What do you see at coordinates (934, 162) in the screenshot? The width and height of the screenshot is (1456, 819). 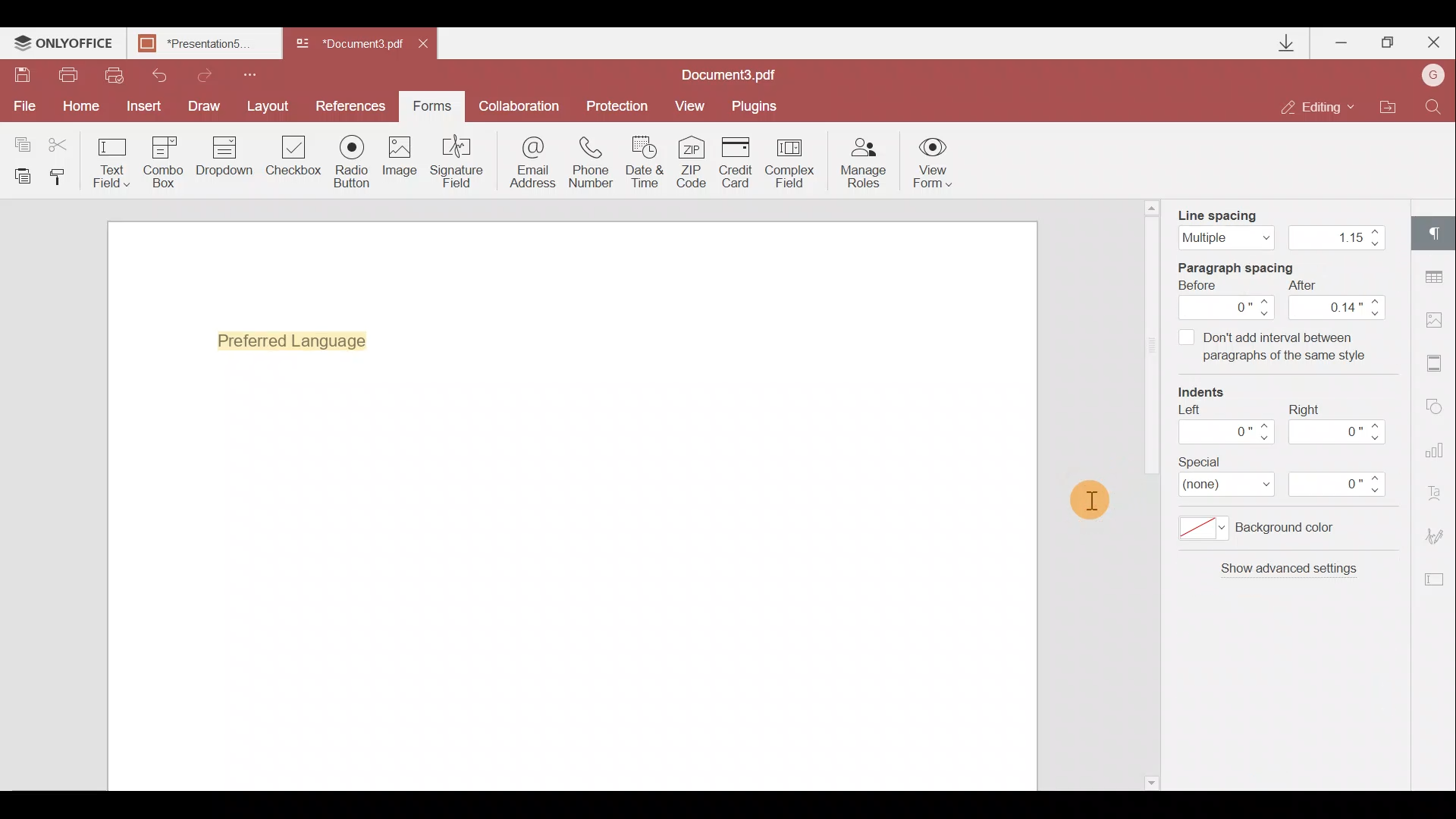 I see `View form` at bounding box center [934, 162].